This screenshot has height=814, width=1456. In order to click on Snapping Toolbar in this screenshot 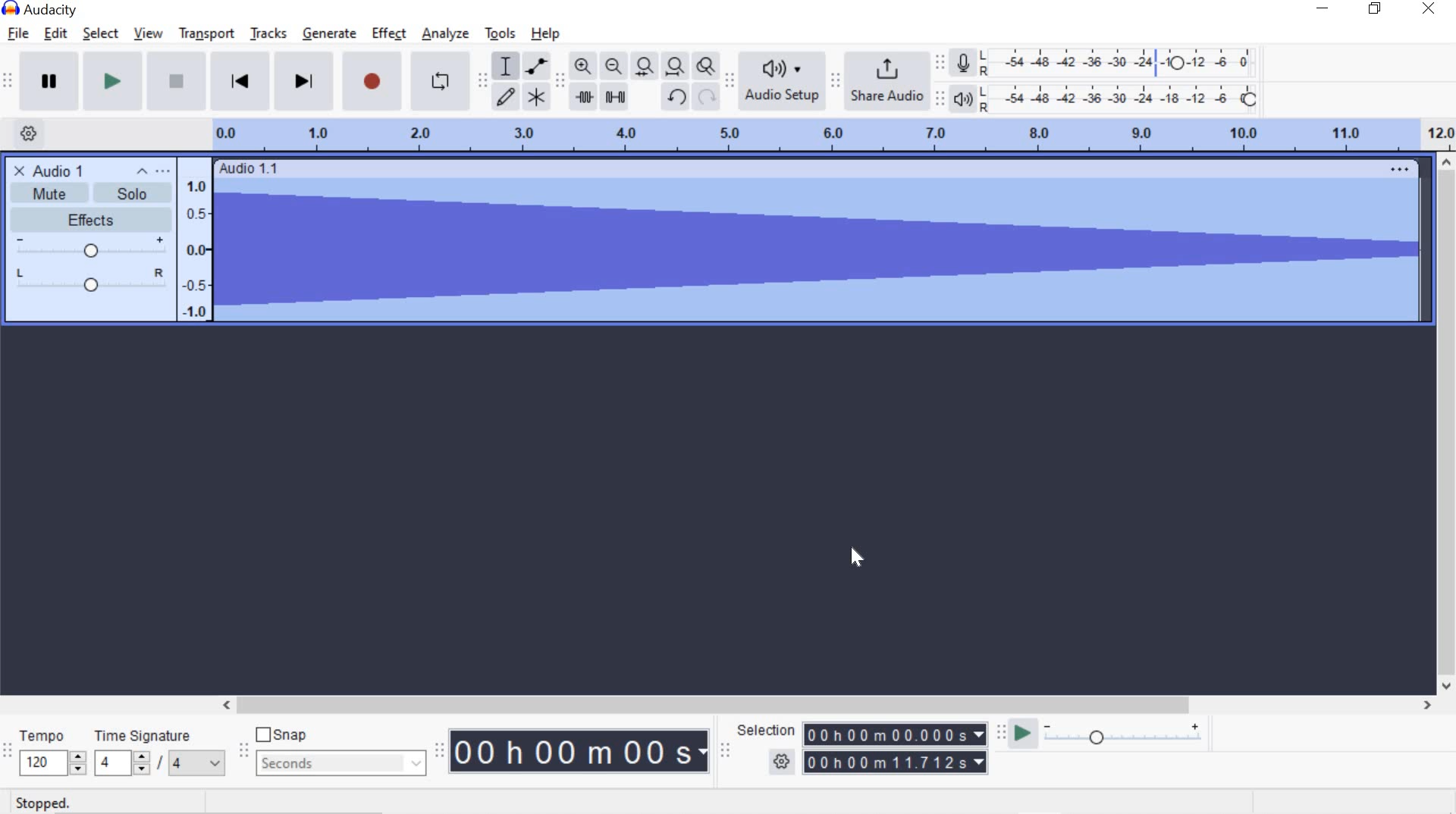, I will do `click(245, 752)`.